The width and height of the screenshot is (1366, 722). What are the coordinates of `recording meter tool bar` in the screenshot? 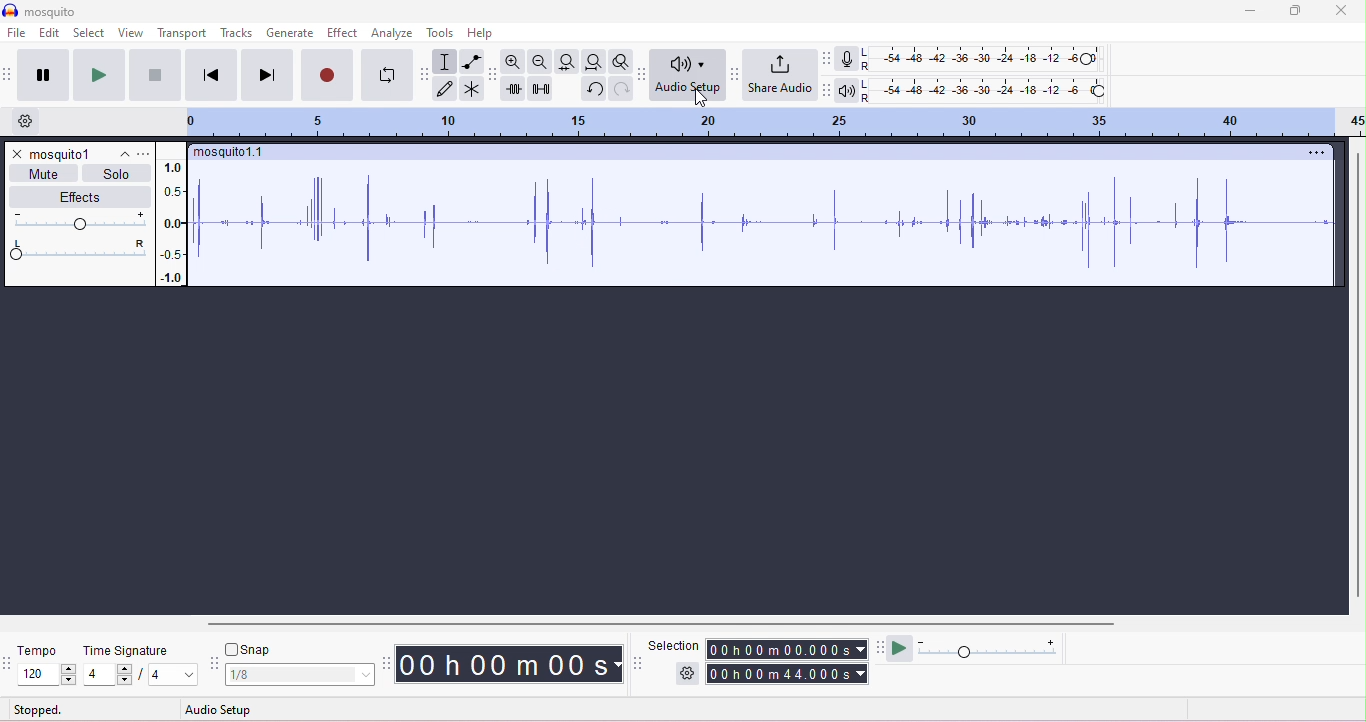 It's located at (825, 58).